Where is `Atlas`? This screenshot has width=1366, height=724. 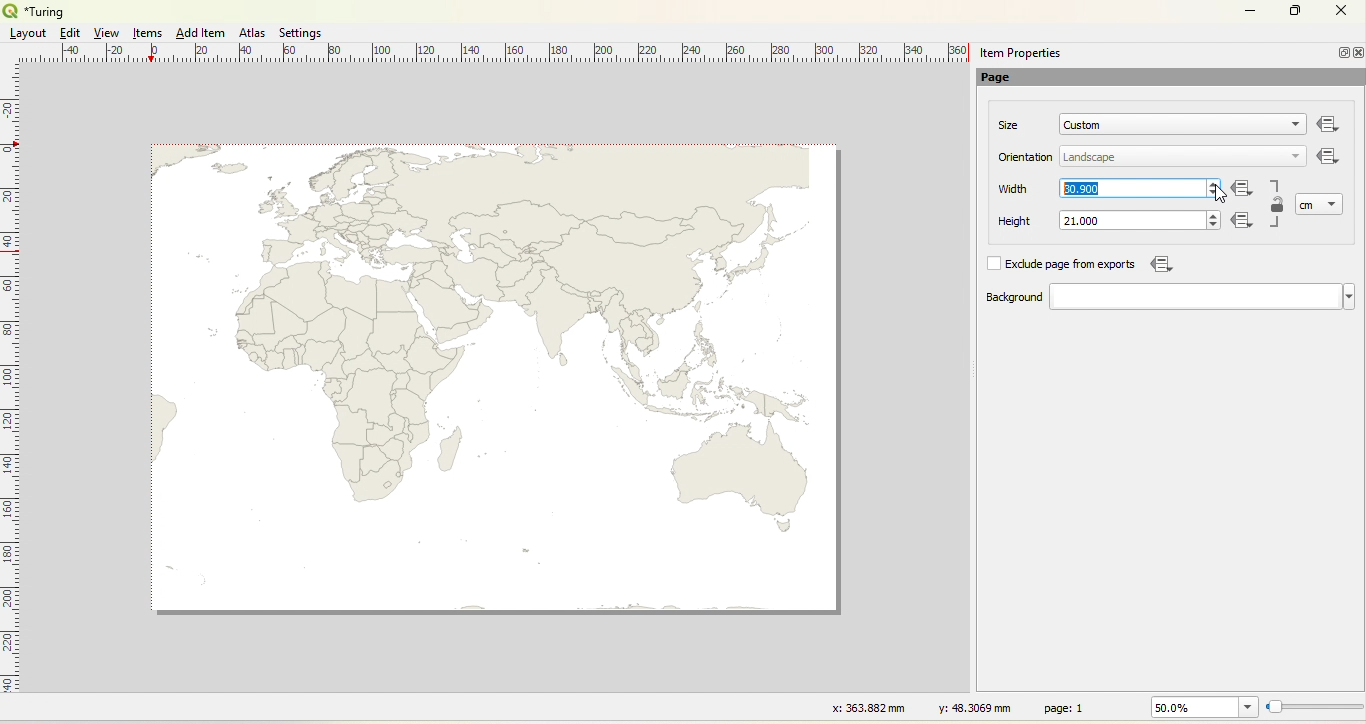 Atlas is located at coordinates (252, 32).